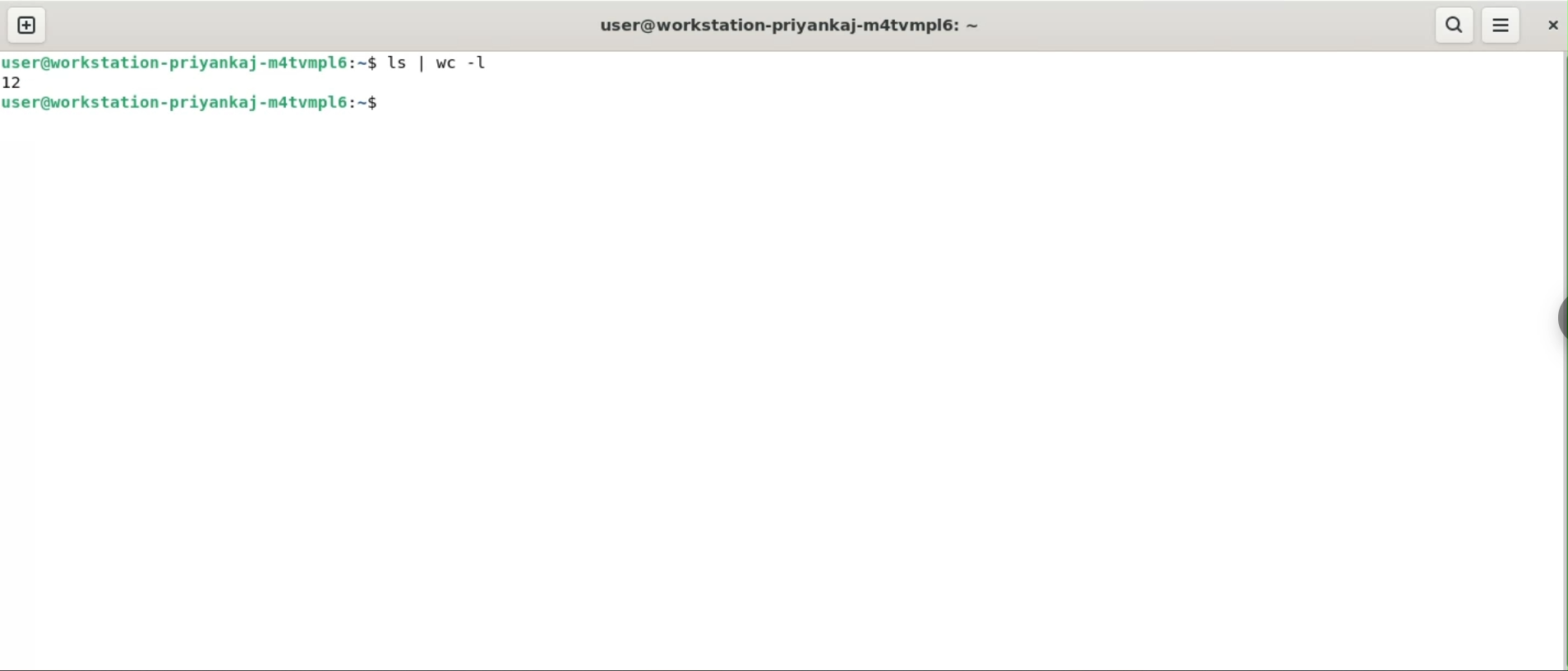  What do you see at coordinates (1553, 23) in the screenshot?
I see `close` at bounding box center [1553, 23].